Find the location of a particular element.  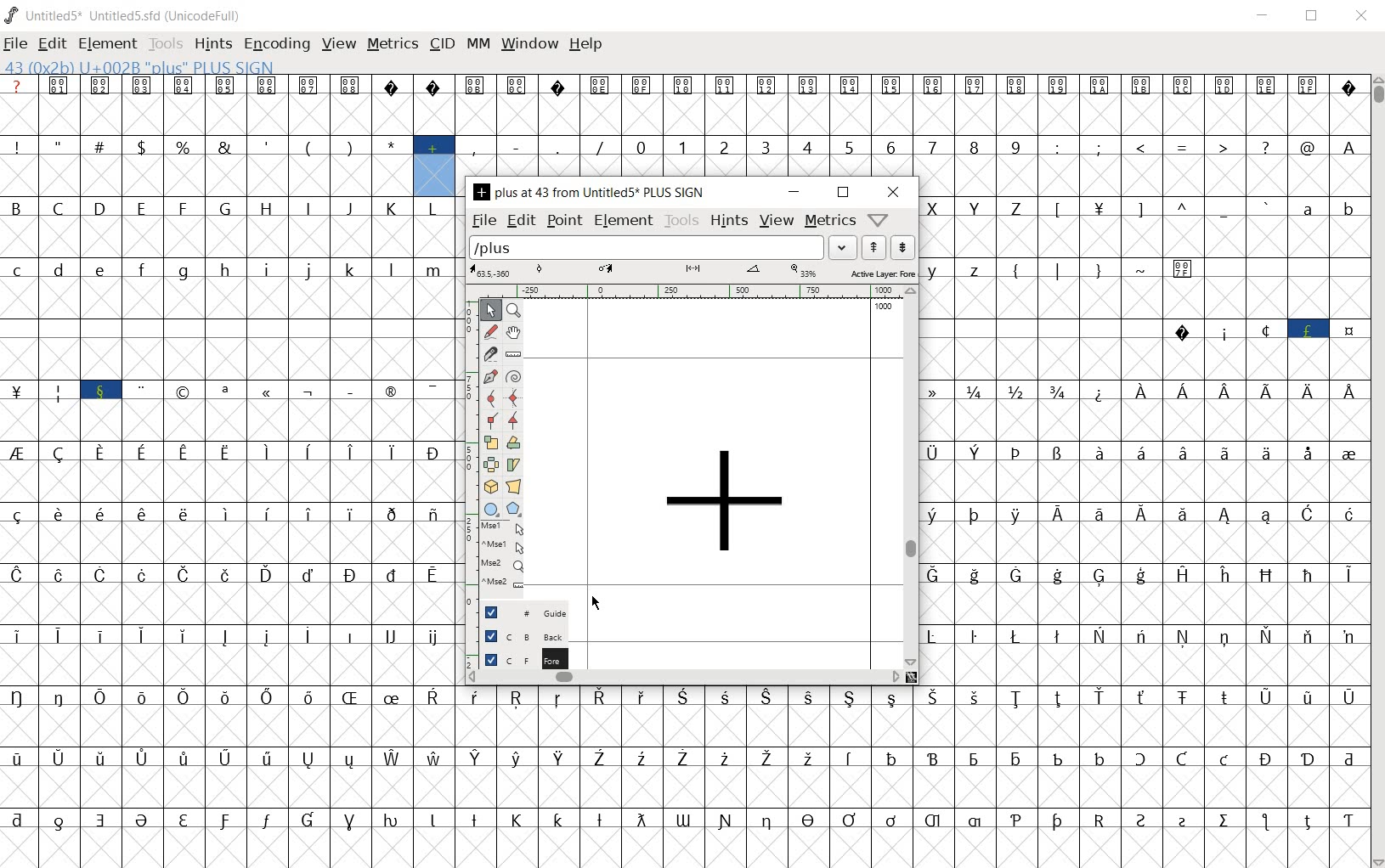

rotate the selection in 3D and project back to plane is located at coordinates (491, 486).